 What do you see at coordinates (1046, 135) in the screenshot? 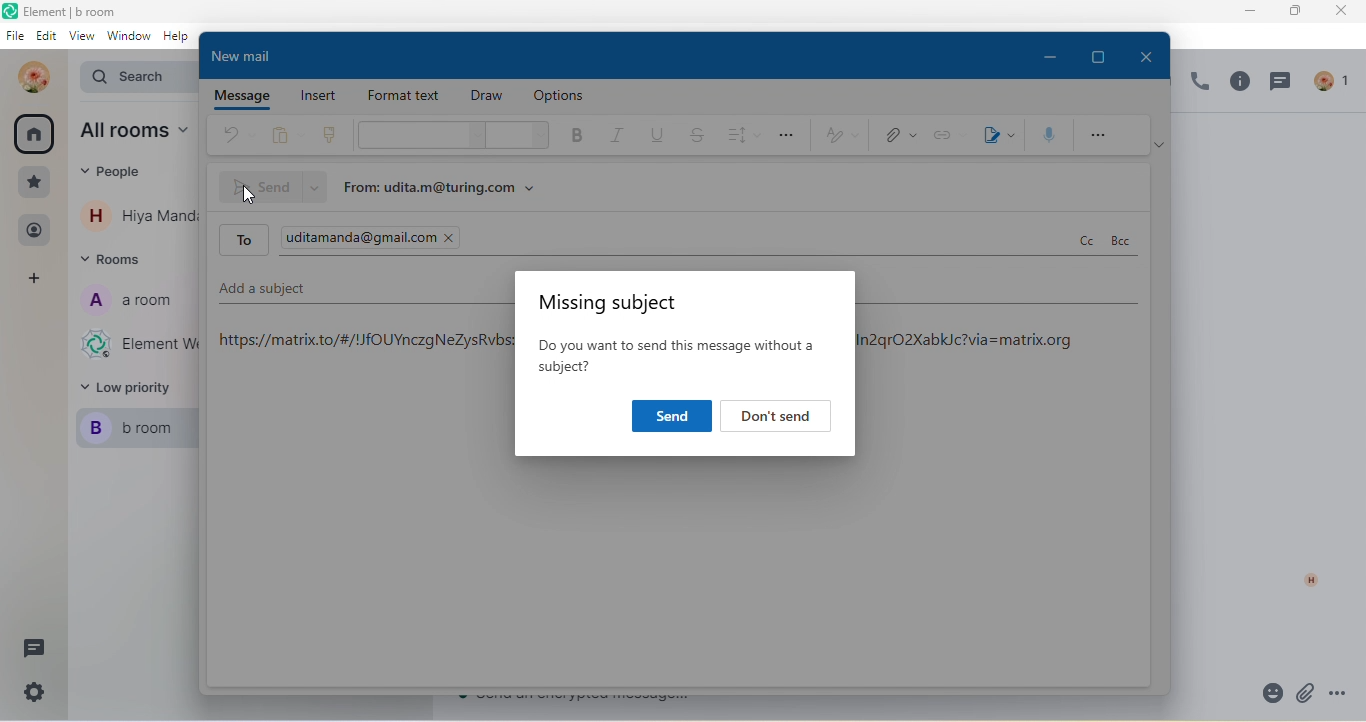
I see `speech` at bounding box center [1046, 135].